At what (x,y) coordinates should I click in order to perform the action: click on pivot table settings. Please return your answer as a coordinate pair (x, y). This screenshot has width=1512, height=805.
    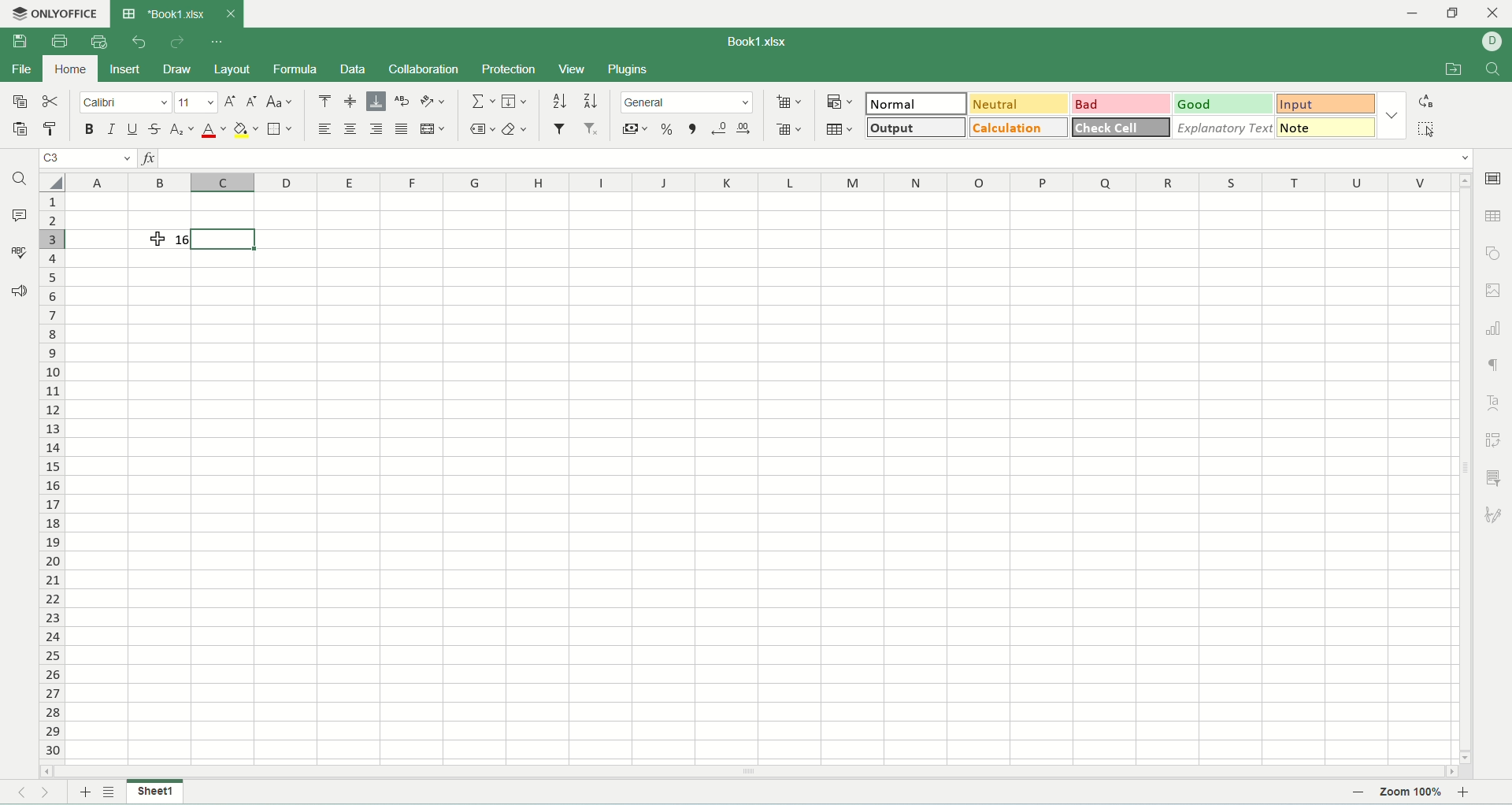
    Looking at the image, I should click on (1495, 440).